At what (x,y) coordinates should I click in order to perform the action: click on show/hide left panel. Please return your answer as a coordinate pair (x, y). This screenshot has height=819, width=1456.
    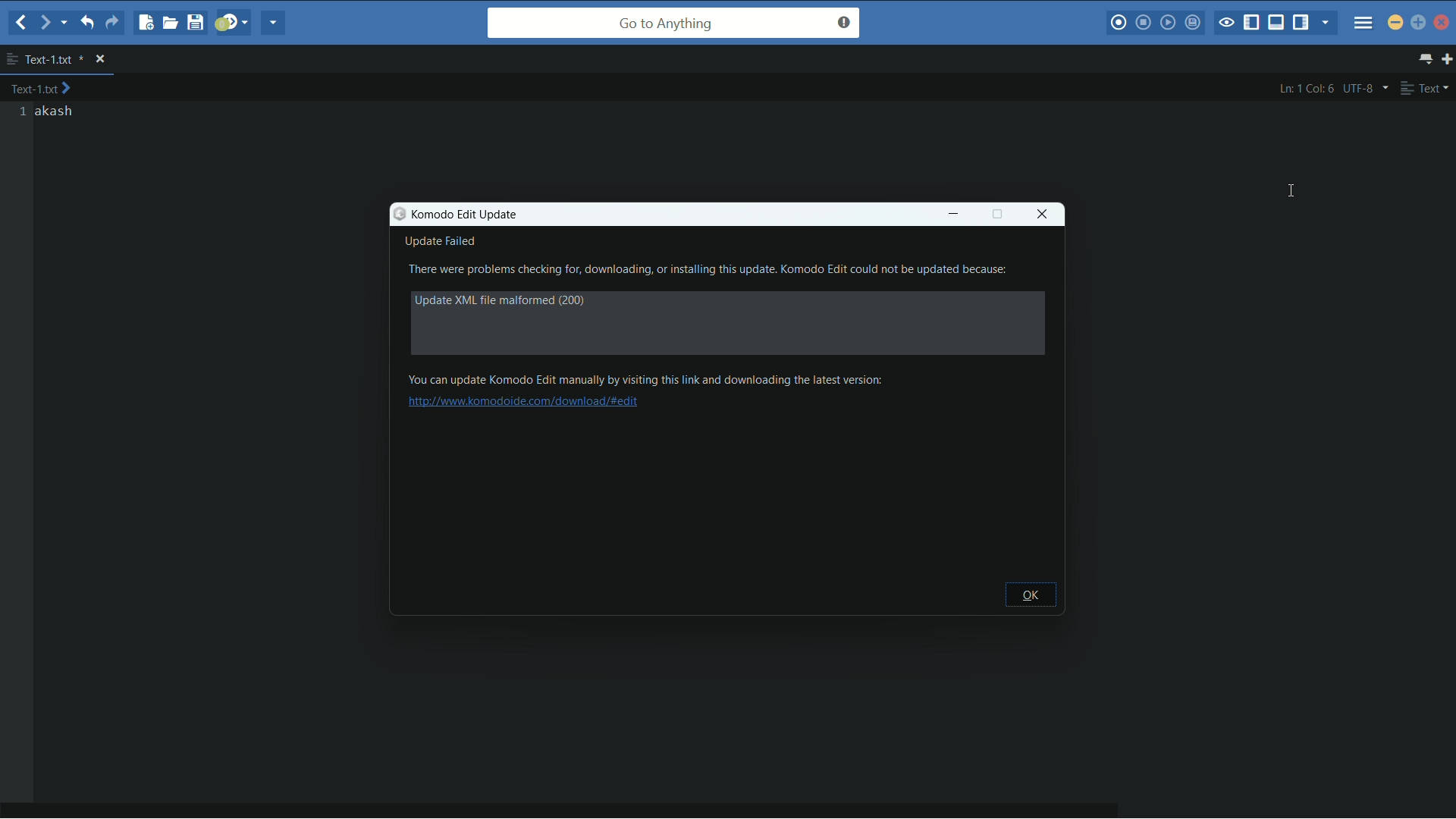
    Looking at the image, I should click on (1254, 22).